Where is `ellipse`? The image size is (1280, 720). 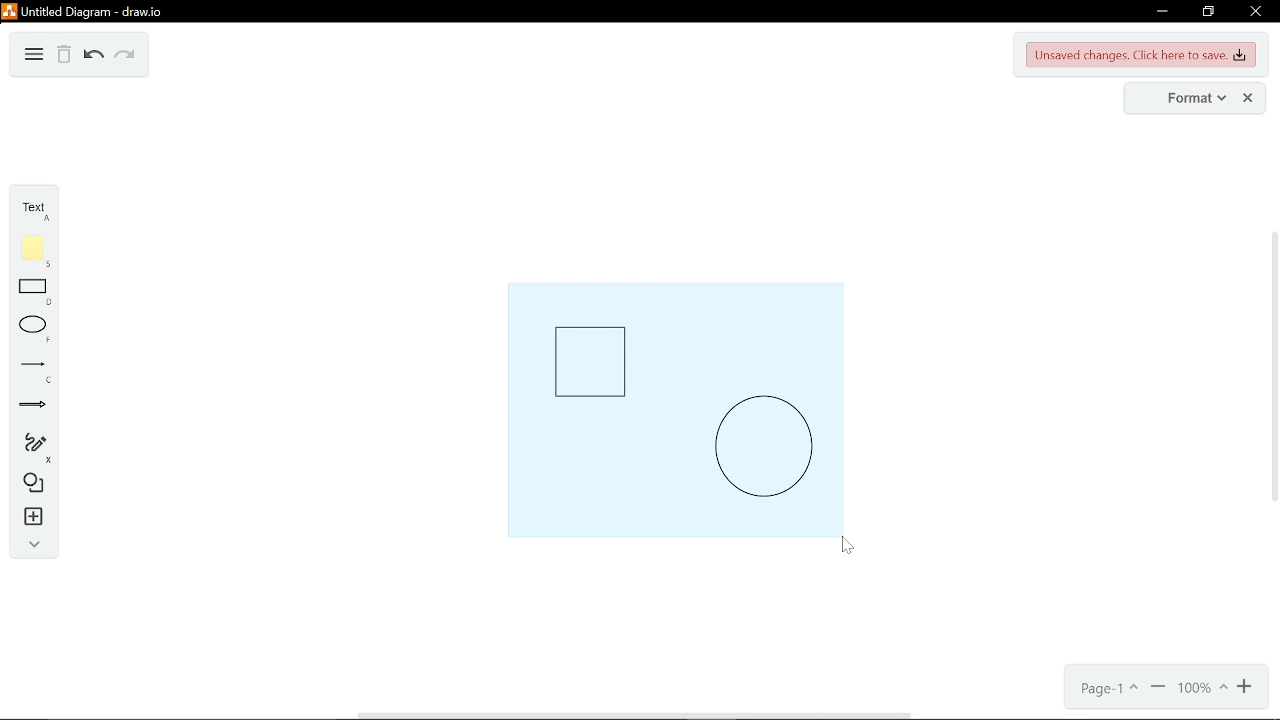
ellipse is located at coordinates (30, 331).